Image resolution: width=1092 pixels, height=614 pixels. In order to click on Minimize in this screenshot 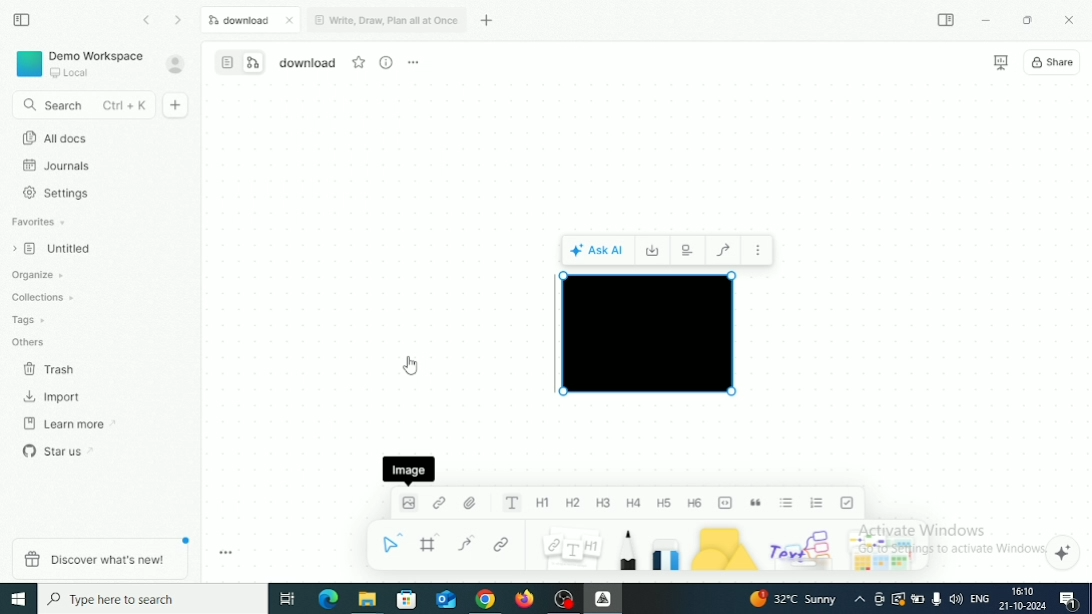, I will do `click(986, 19)`.